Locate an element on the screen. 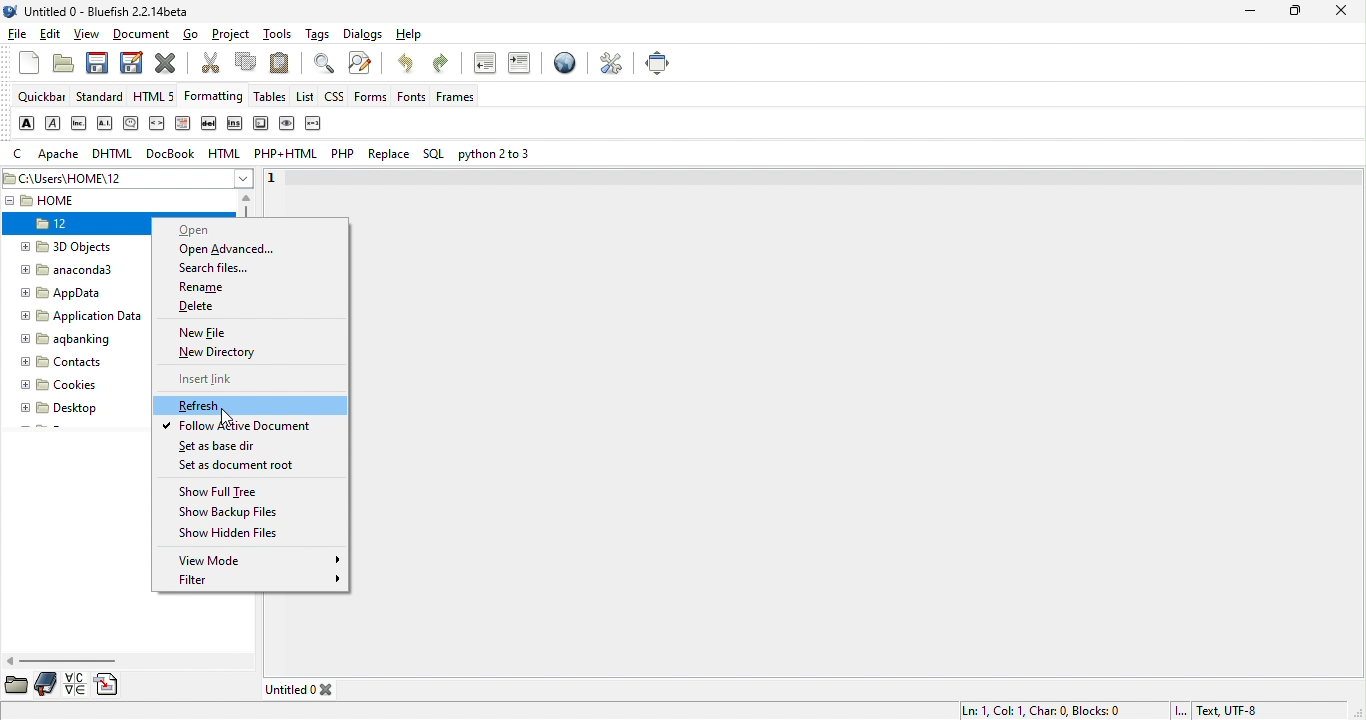  follow active document is located at coordinates (240, 429).